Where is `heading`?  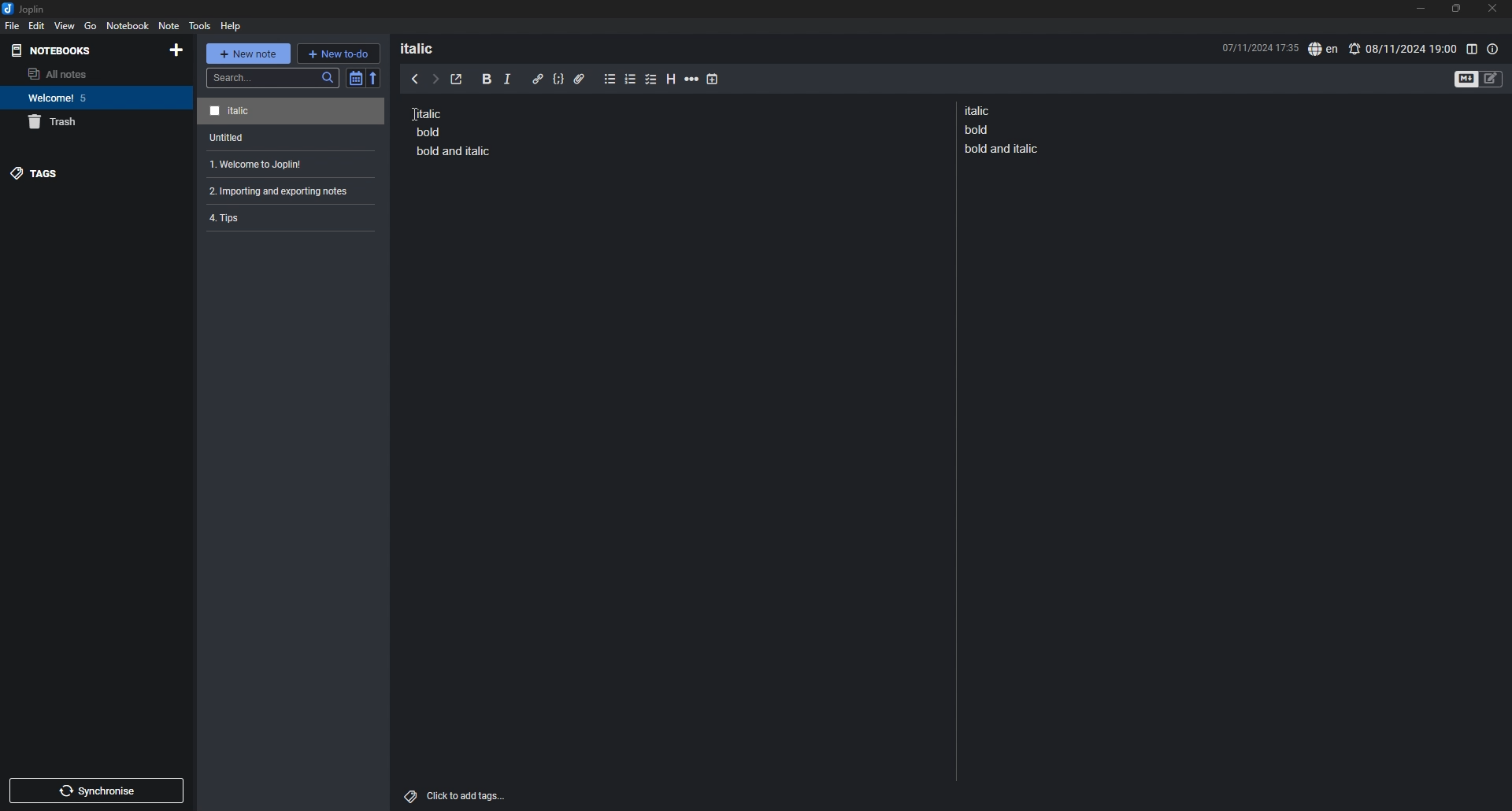 heading is located at coordinates (673, 80).